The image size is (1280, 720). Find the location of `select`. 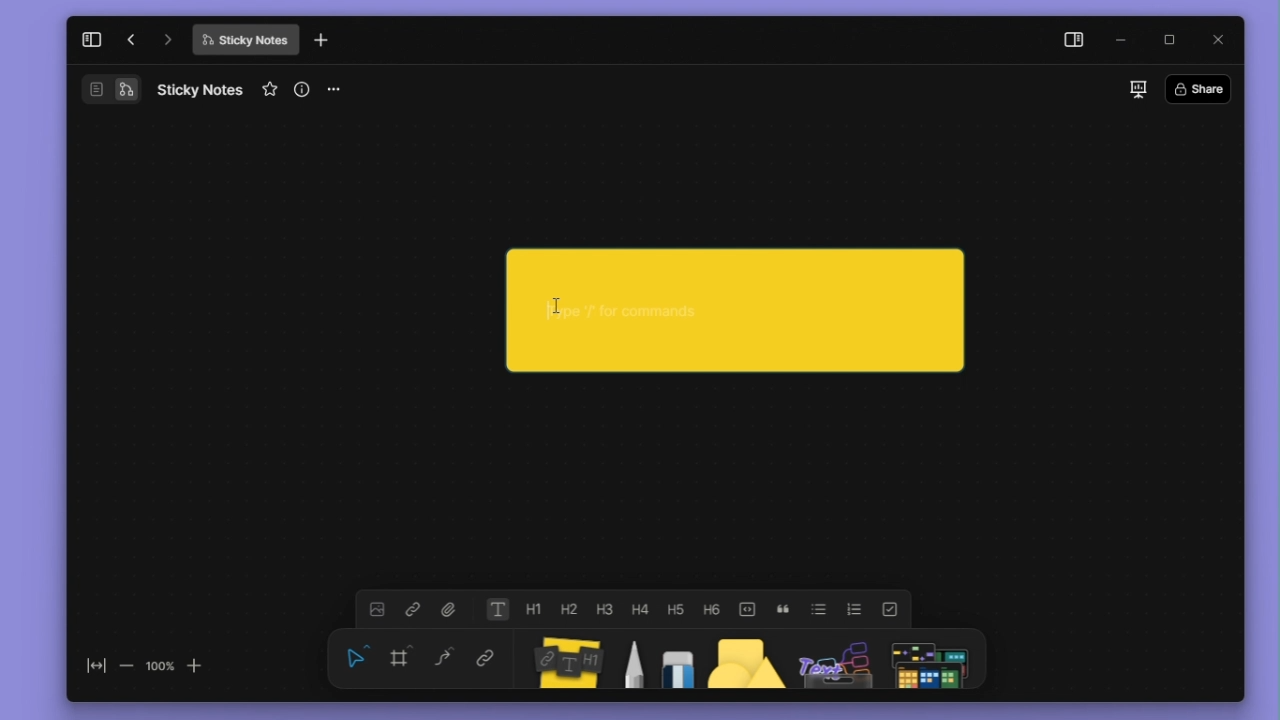

select is located at coordinates (356, 658).